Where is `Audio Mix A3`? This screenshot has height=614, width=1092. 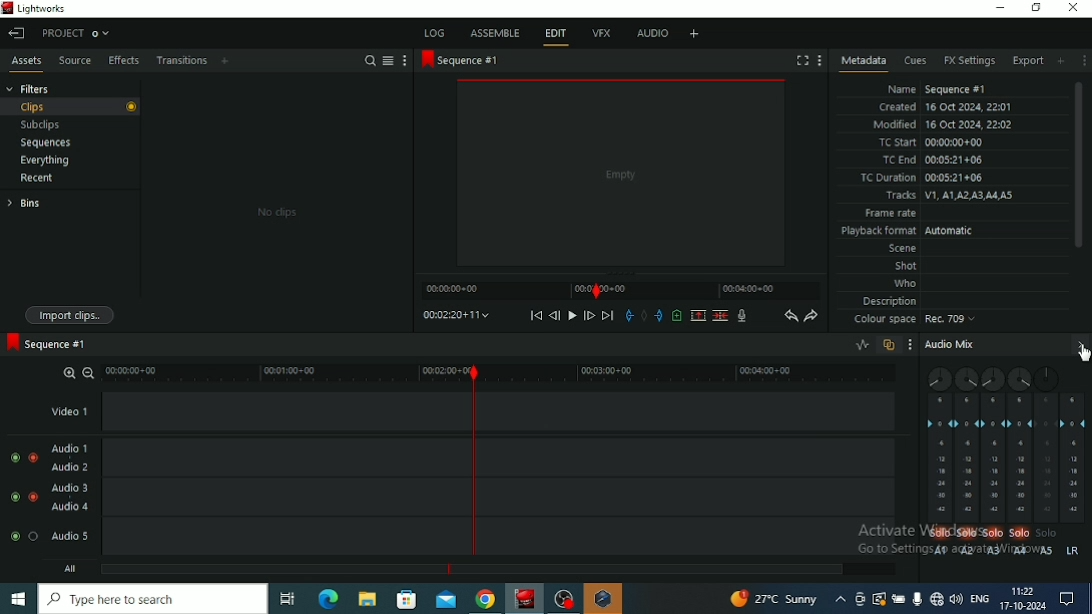
Audio Mix A3 is located at coordinates (993, 458).